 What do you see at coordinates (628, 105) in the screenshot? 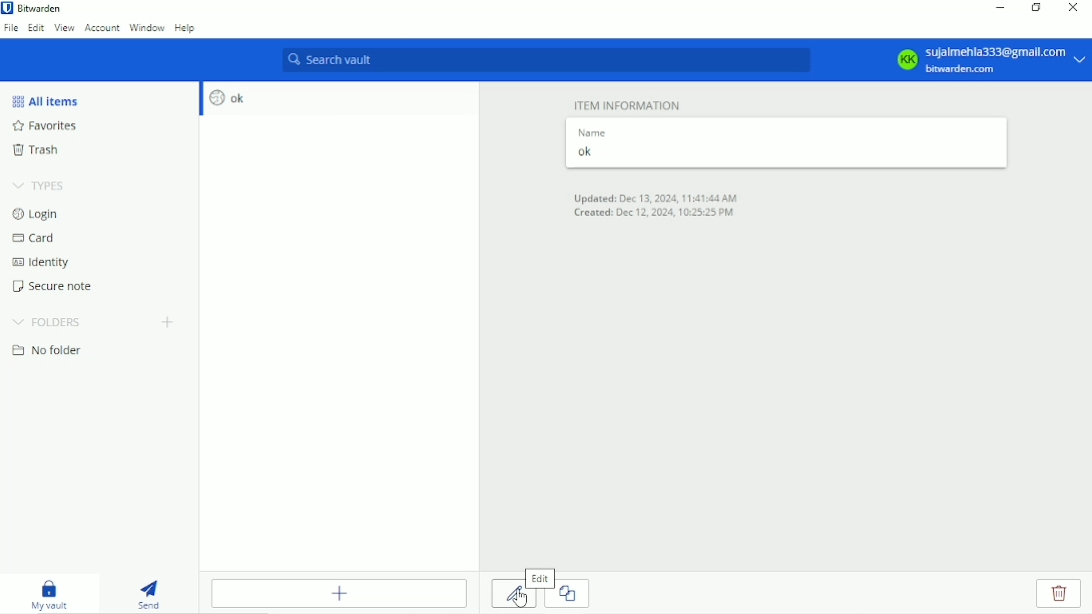
I see `Item information` at bounding box center [628, 105].